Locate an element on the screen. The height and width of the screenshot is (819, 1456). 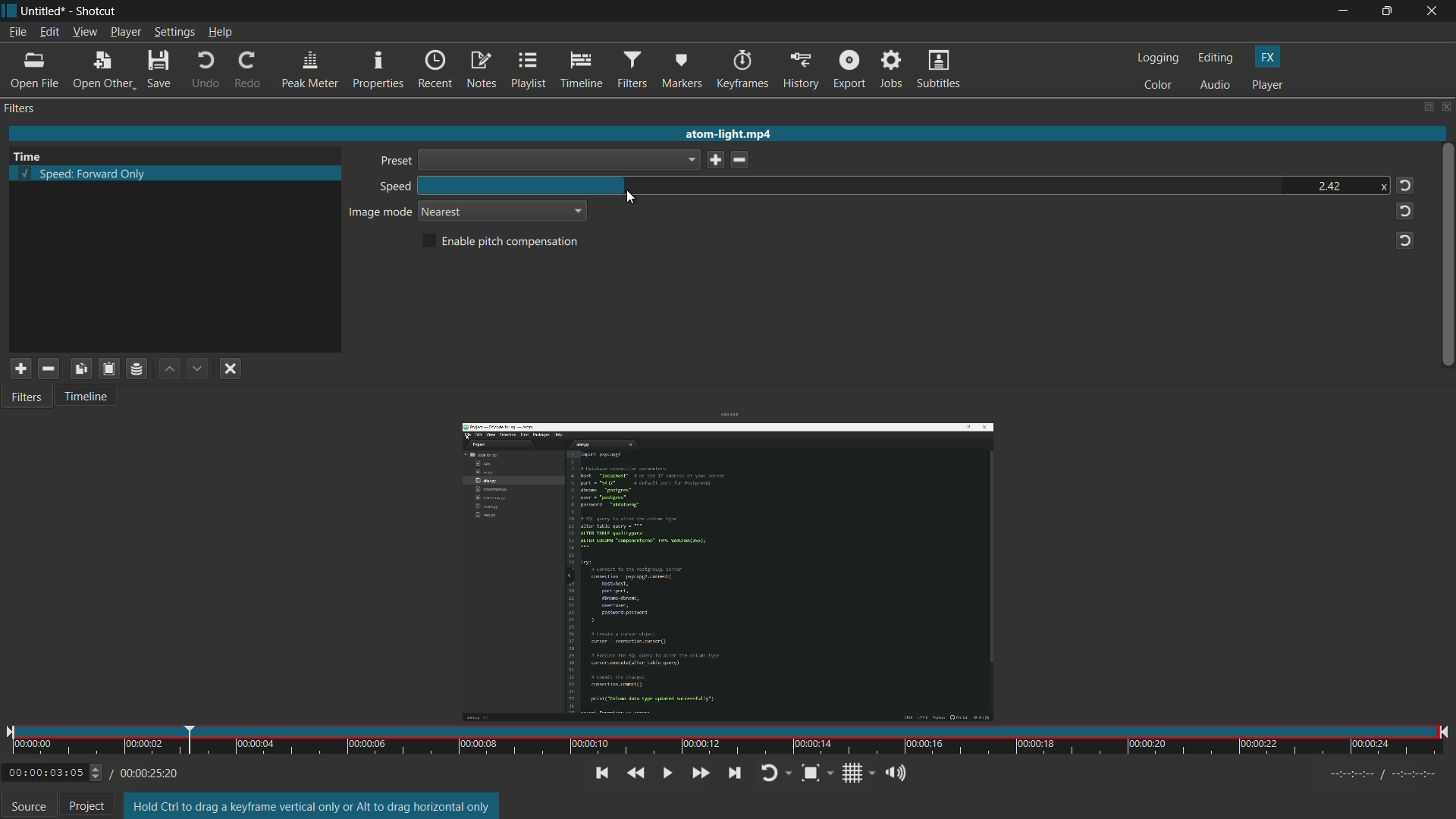
Timecodes is located at coordinates (1367, 773).